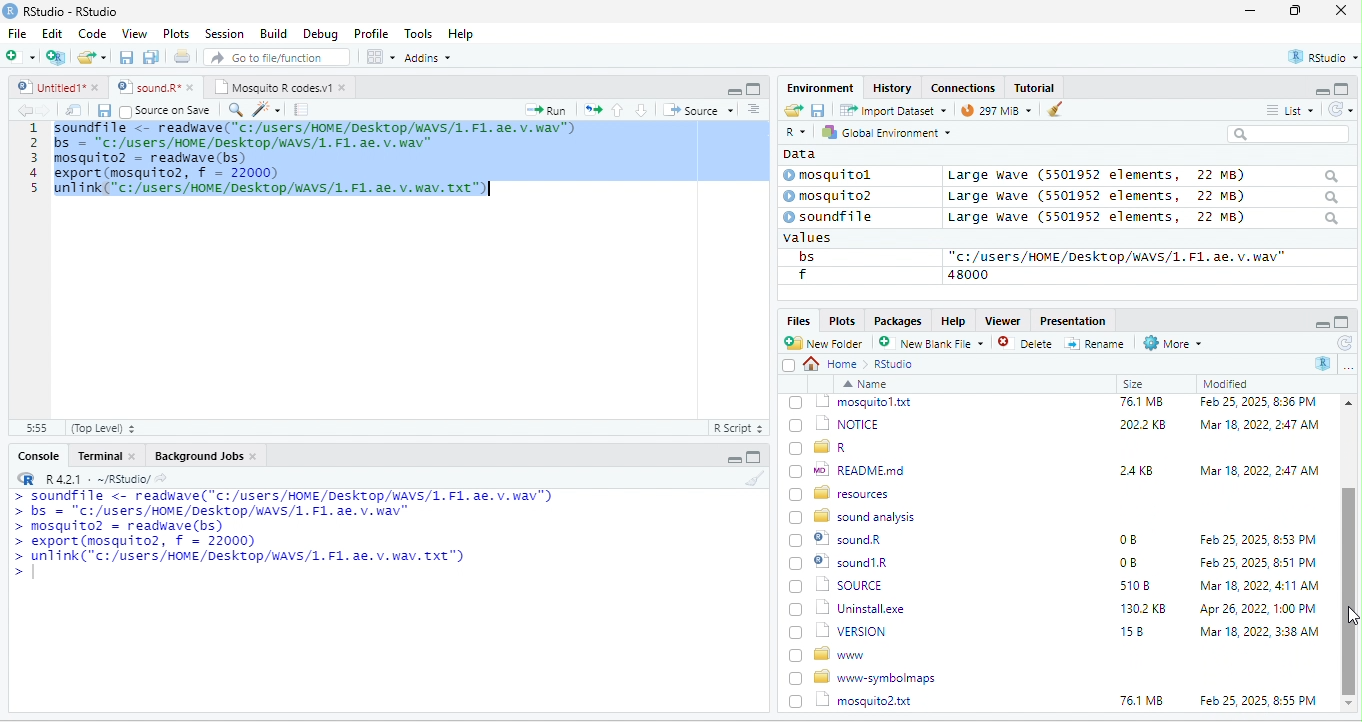  Describe the element at coordinates (235, 108) in the screenshot. I see `search` at that location.